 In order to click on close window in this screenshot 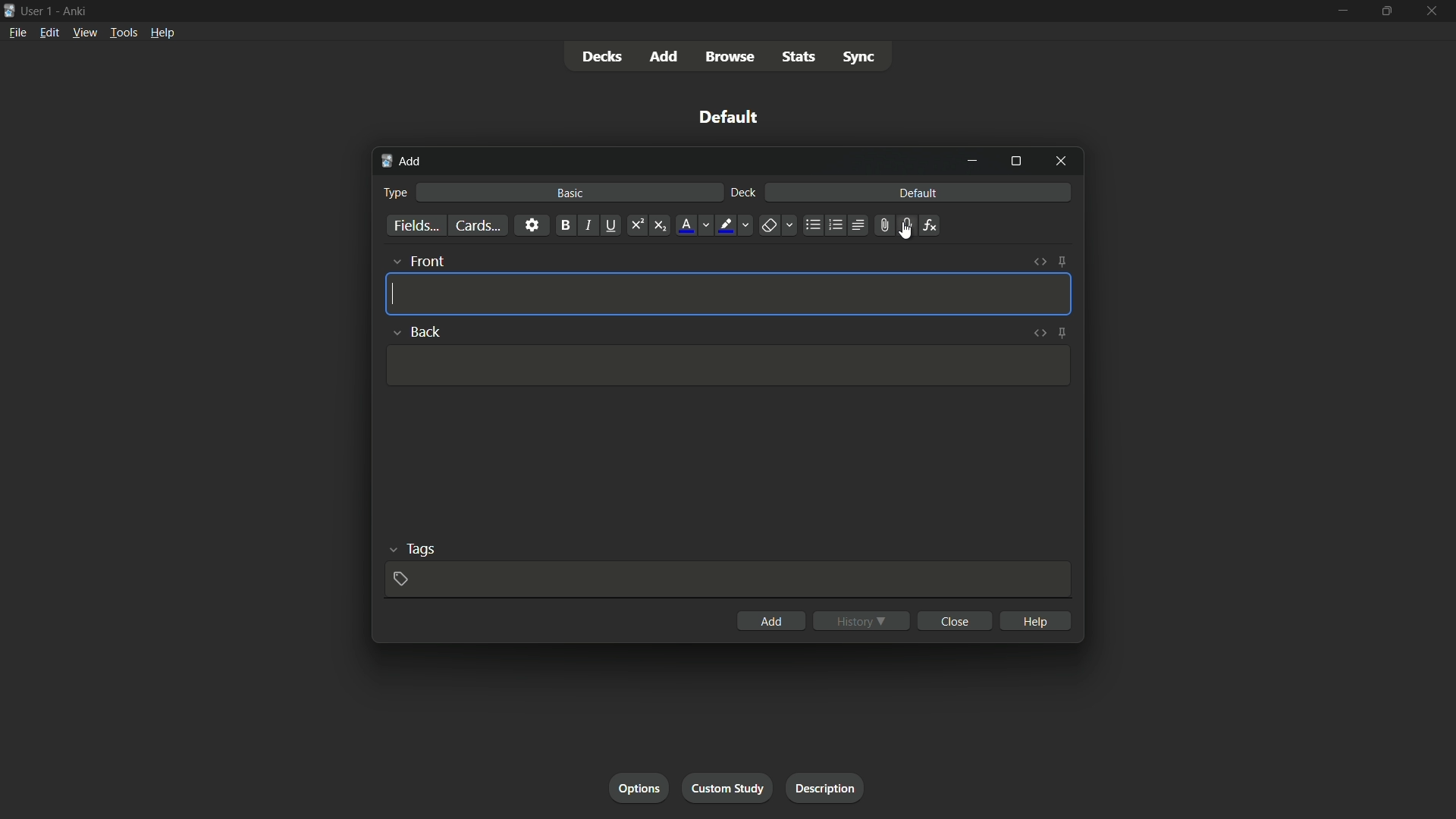, I will do `click(1059, 162)`.